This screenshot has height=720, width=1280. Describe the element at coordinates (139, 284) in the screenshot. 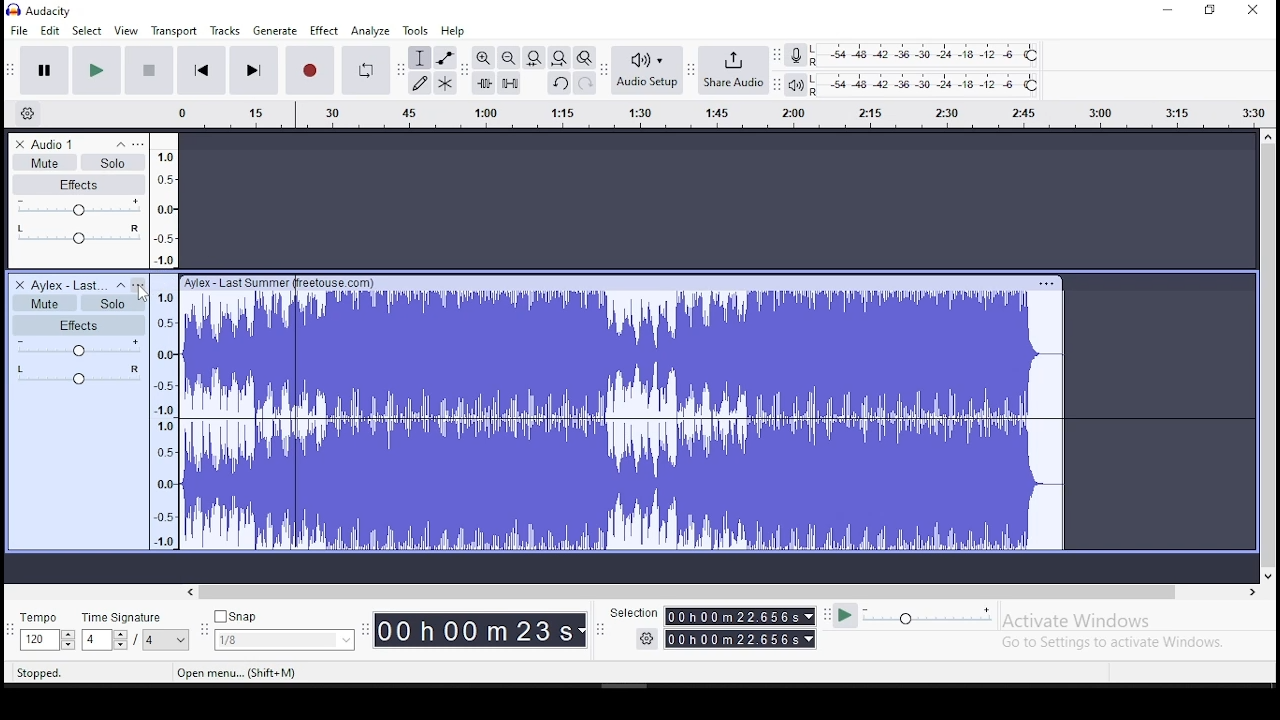

I see `open menu` at that location.